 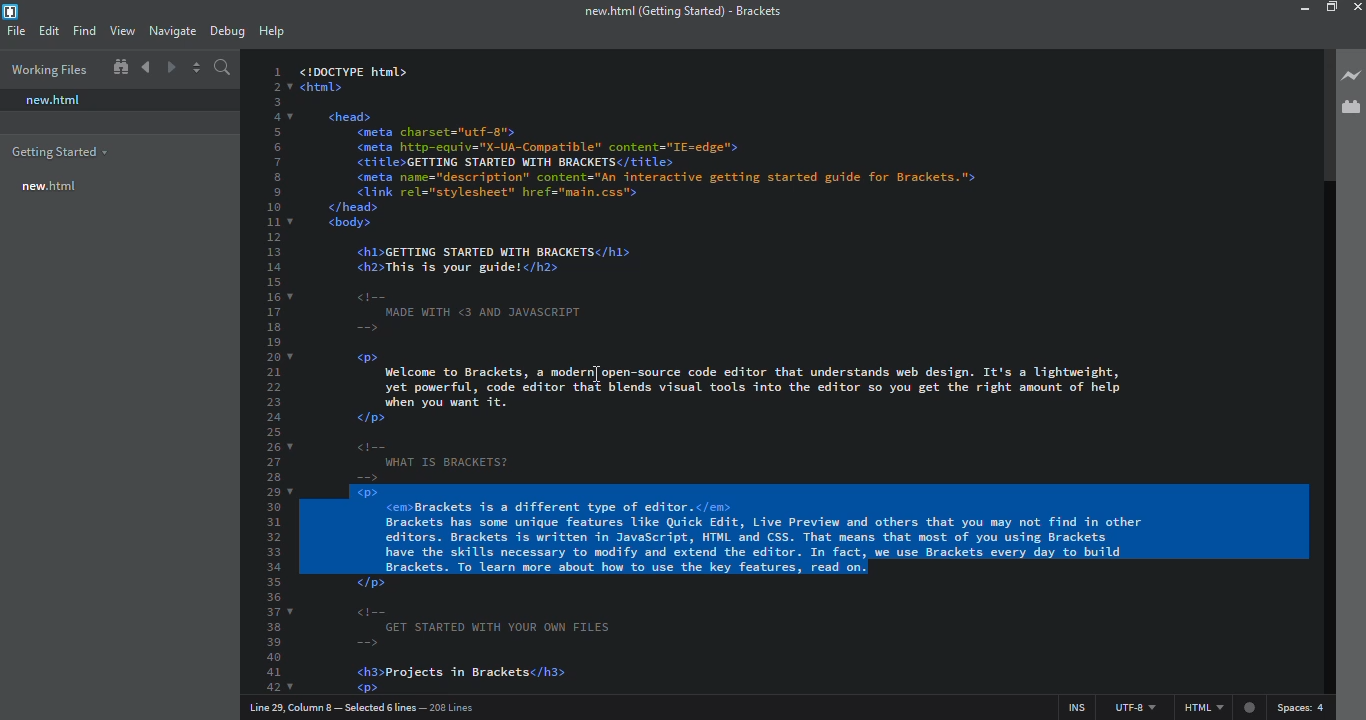 I want to click on utf 8, so click(x=1127, y=704).